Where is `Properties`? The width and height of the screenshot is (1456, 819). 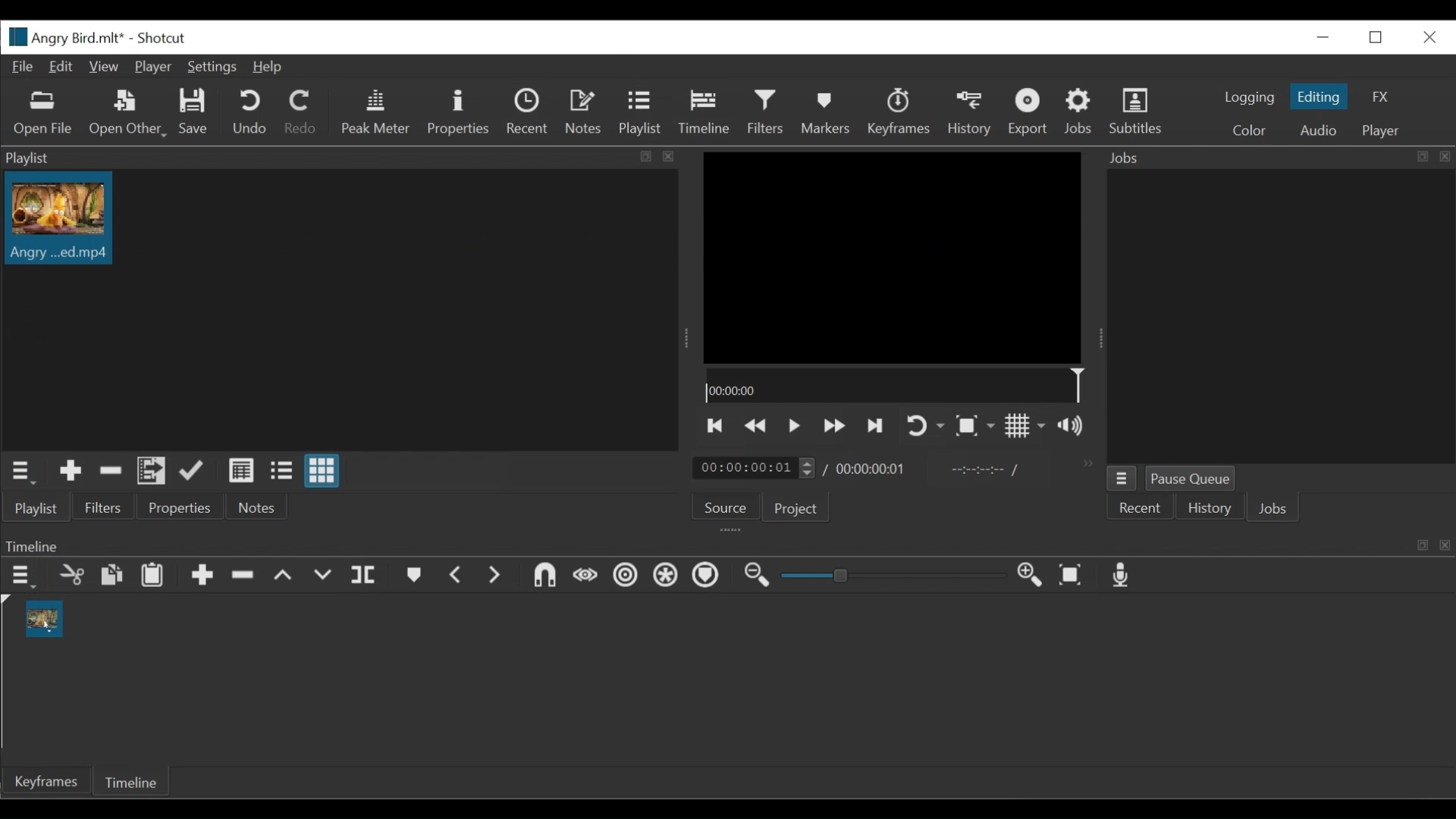
Properties is located at coordinates (461, 112).